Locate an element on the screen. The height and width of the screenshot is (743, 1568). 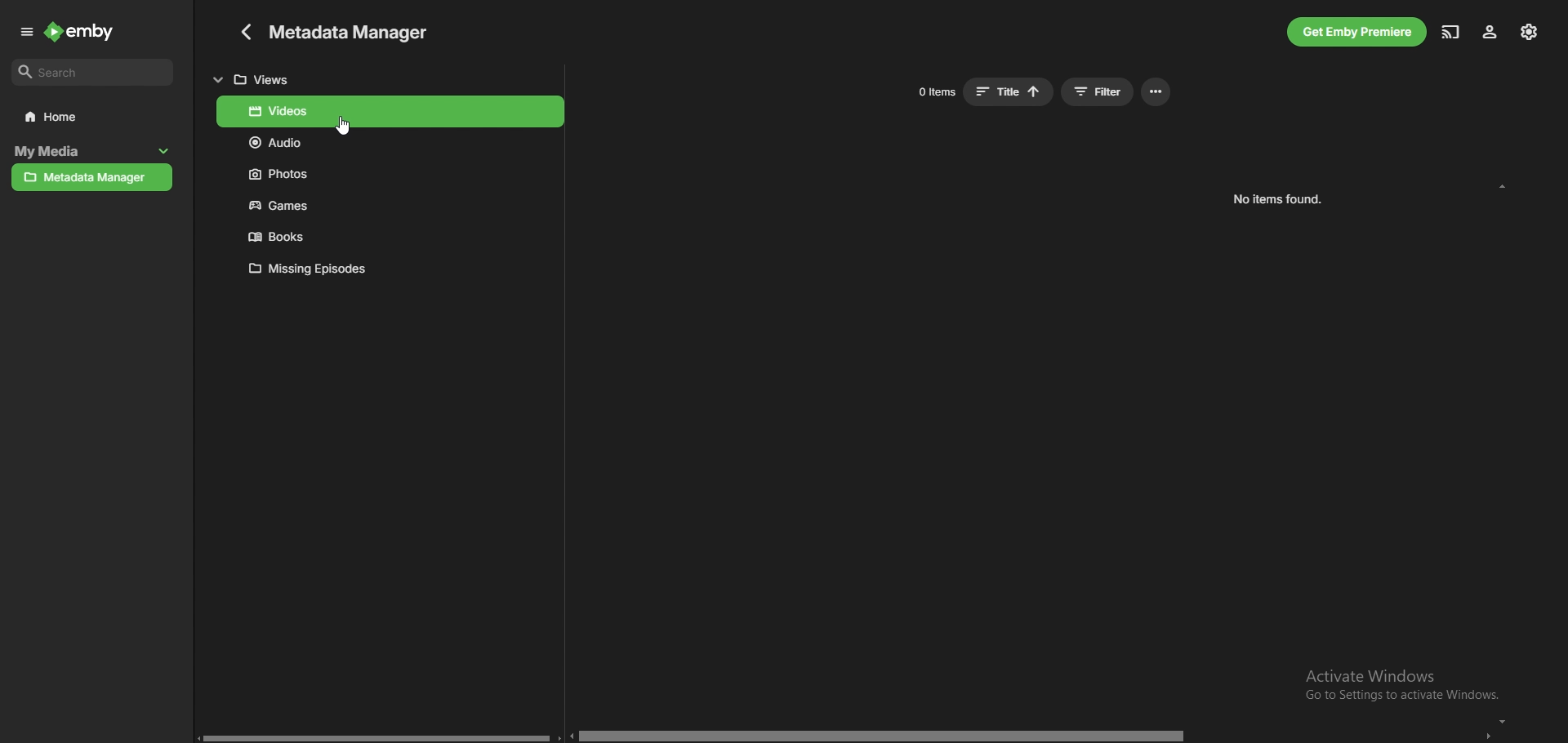
scroll down is located at coordinates (1502, 722).